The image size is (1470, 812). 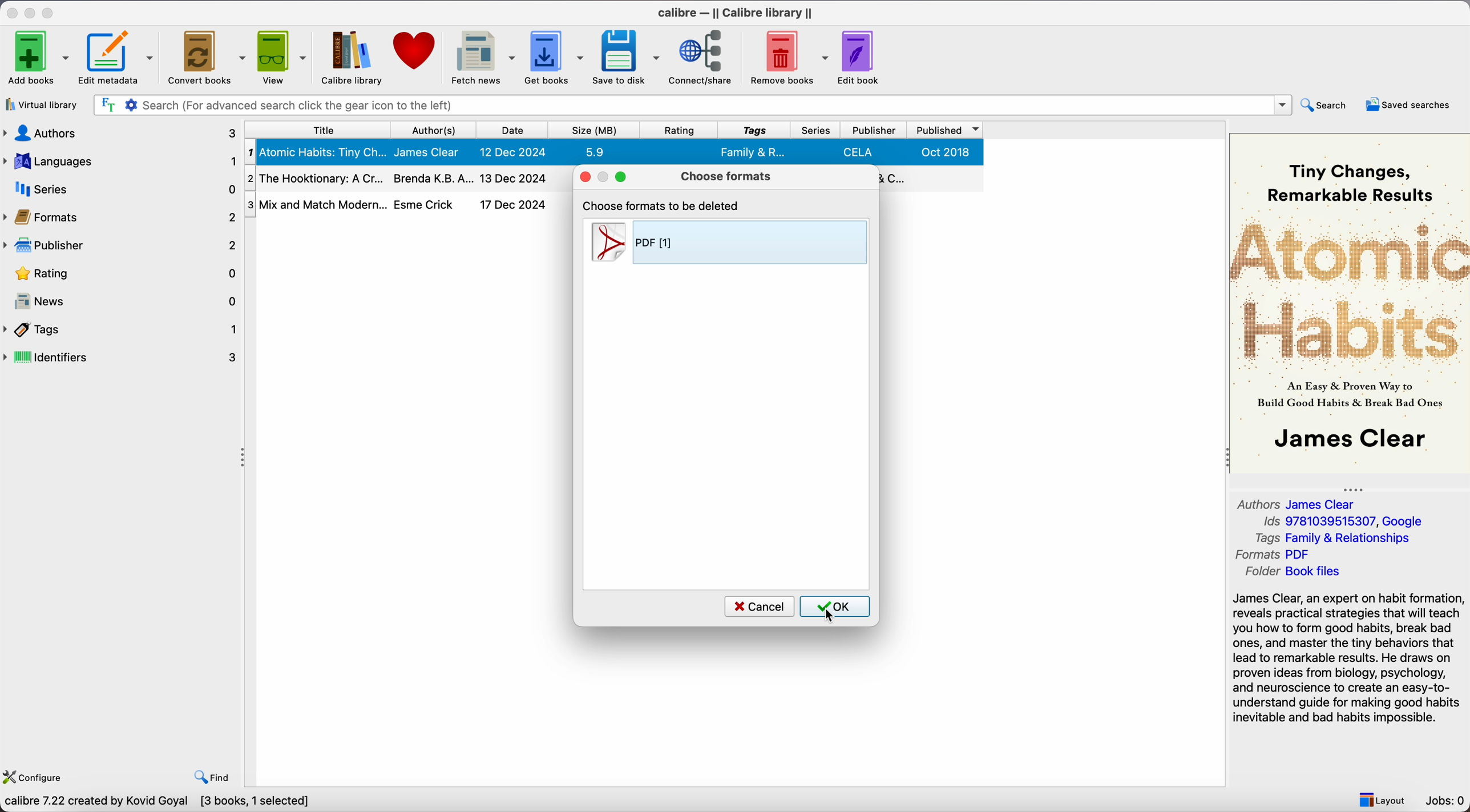 What do you see at coordinates (1290, 503) in the screenshot?
I see `Authors James Clear` at bounding box center [1290, 503].